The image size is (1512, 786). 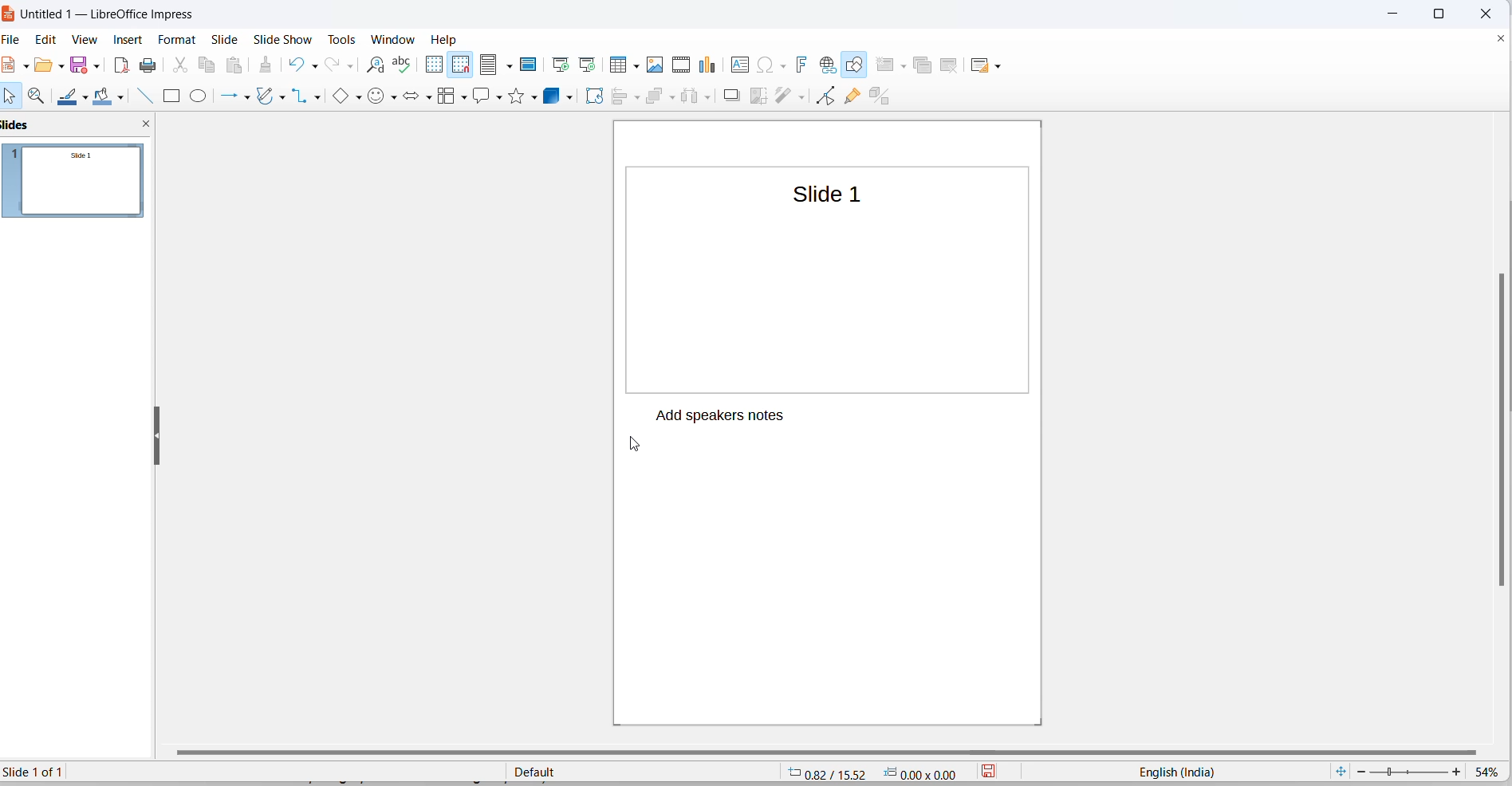 I want to click on table grid, so click(x=635, y=68).